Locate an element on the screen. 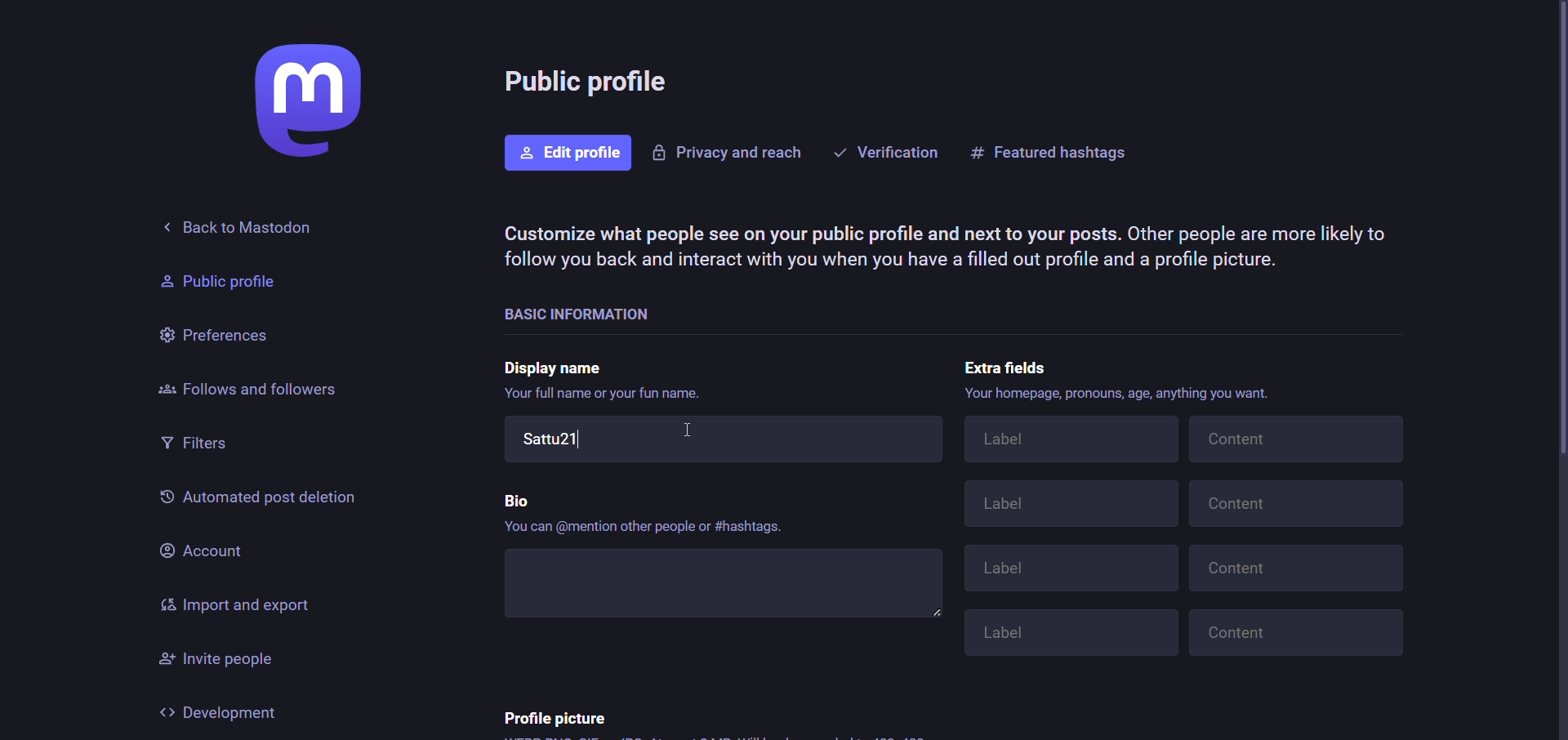 This screenshot has height=740, width=1568. cursor is located at coordinates (689, 434).